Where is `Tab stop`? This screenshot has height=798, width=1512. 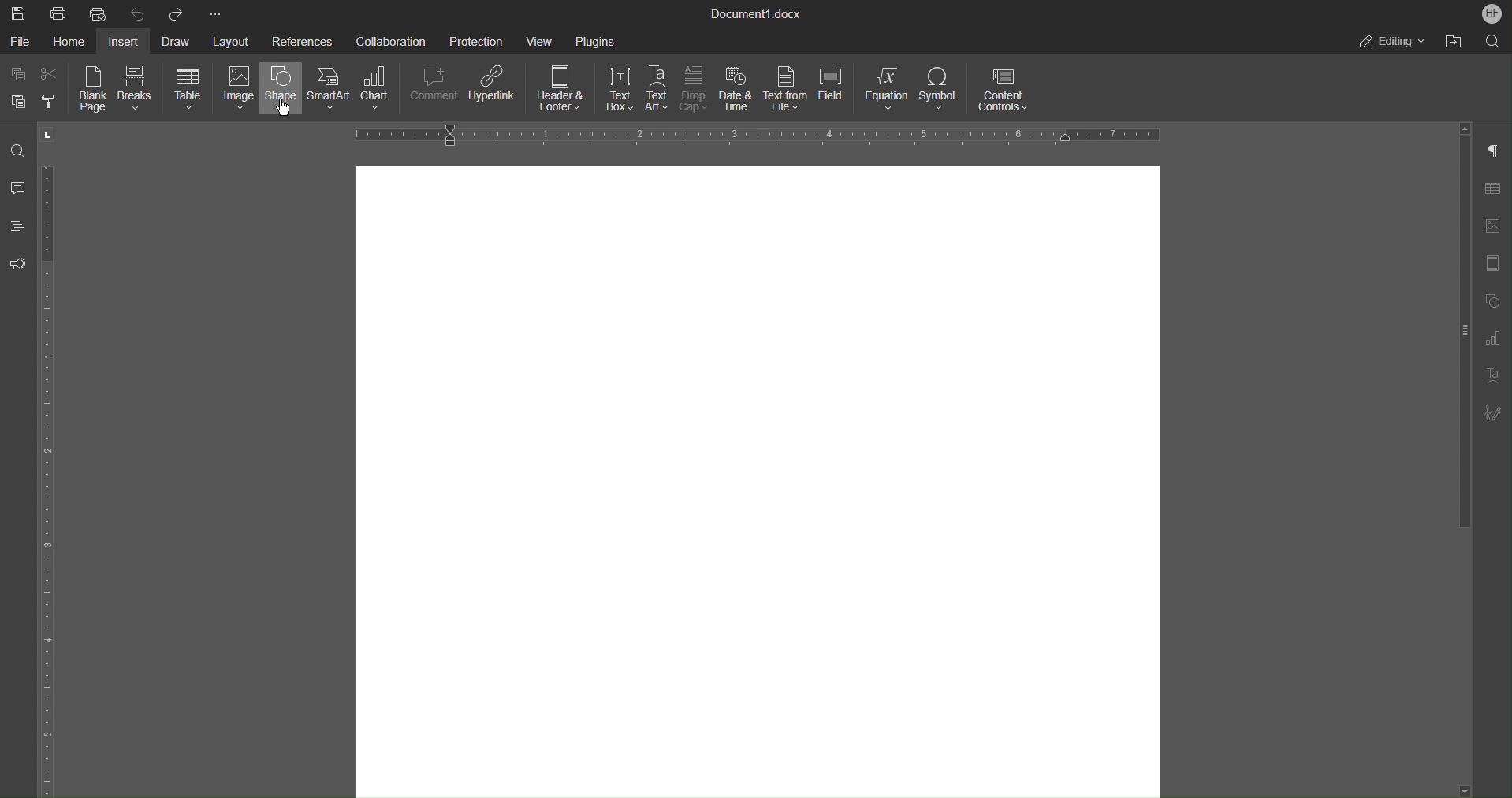 Tab stop is located at coordinates (49, 135).